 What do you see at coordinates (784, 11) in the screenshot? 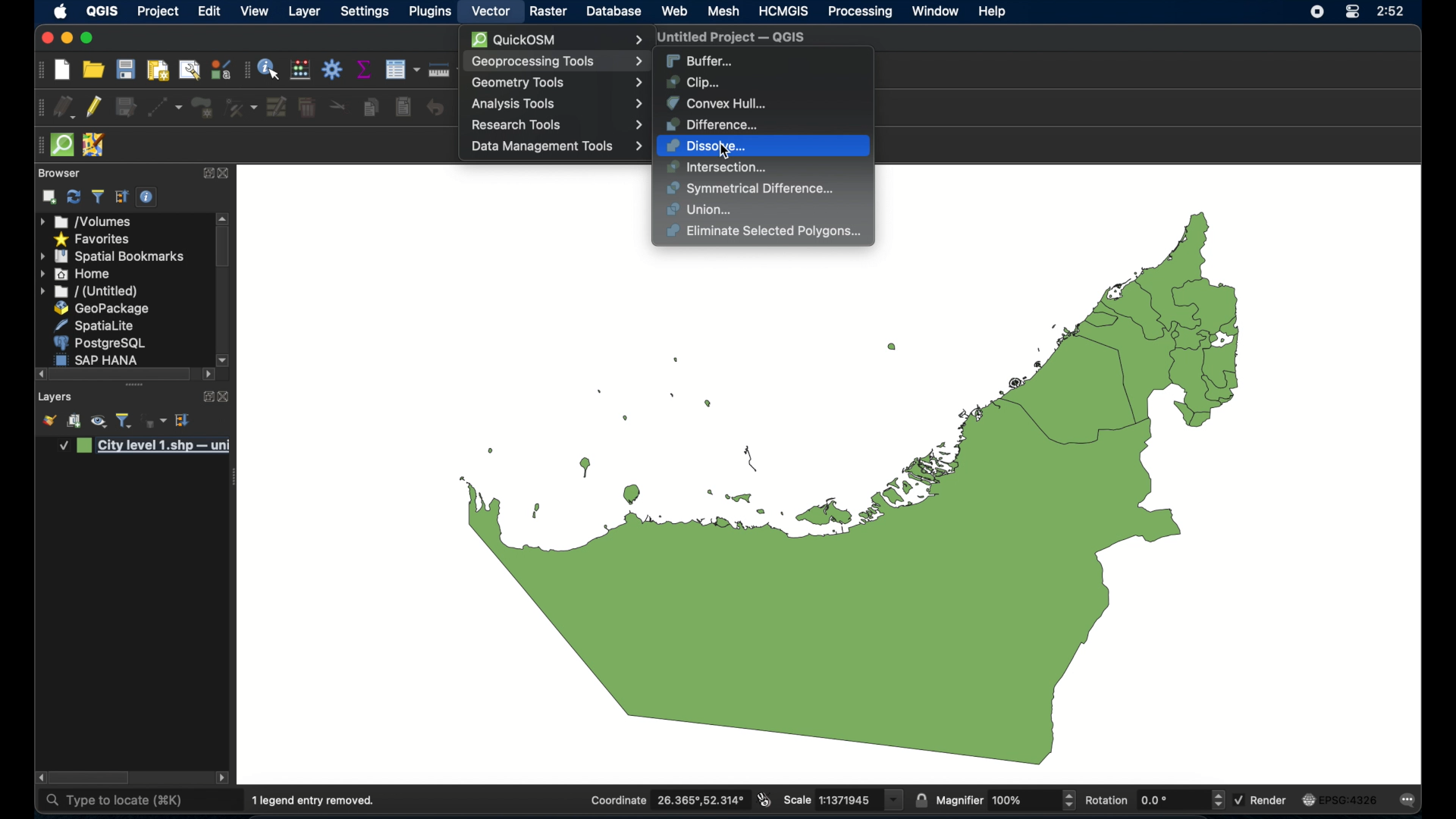
I see `HCMGIS` at bounding box center [784, 11].